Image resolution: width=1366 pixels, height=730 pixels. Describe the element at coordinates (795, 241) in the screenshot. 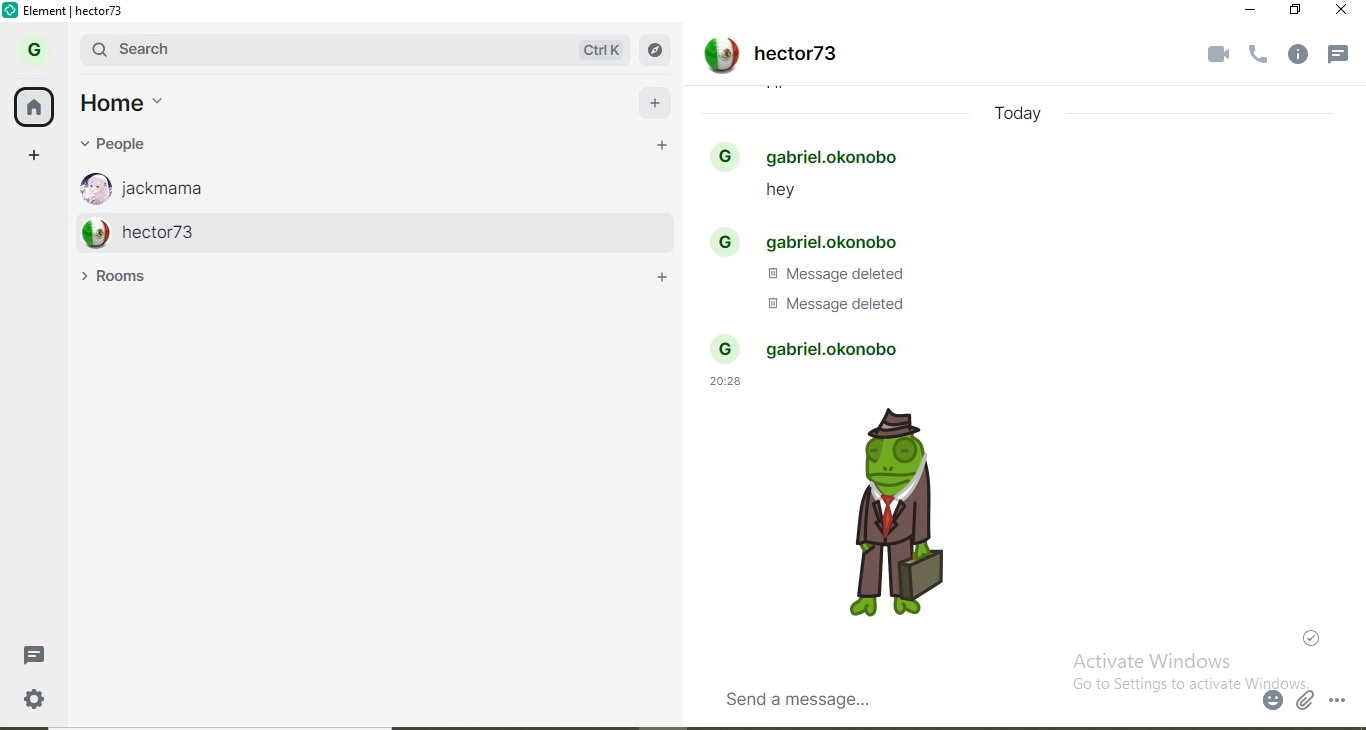

I see `people` at that location.